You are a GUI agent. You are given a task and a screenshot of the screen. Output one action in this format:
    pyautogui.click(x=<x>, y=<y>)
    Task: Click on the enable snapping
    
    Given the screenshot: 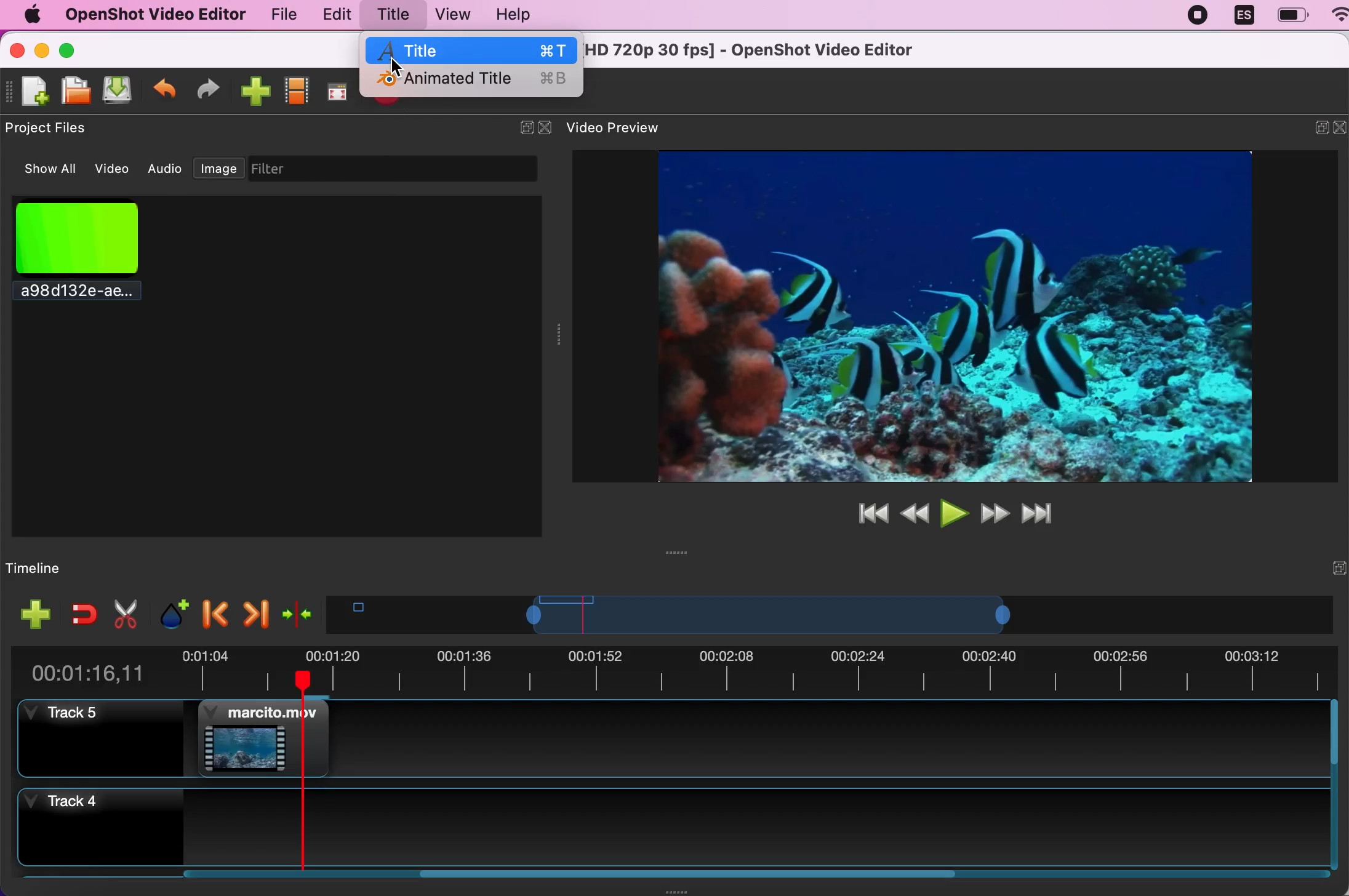 What is the action you would take?
    pyautogui.click(x=79, y=614)
    